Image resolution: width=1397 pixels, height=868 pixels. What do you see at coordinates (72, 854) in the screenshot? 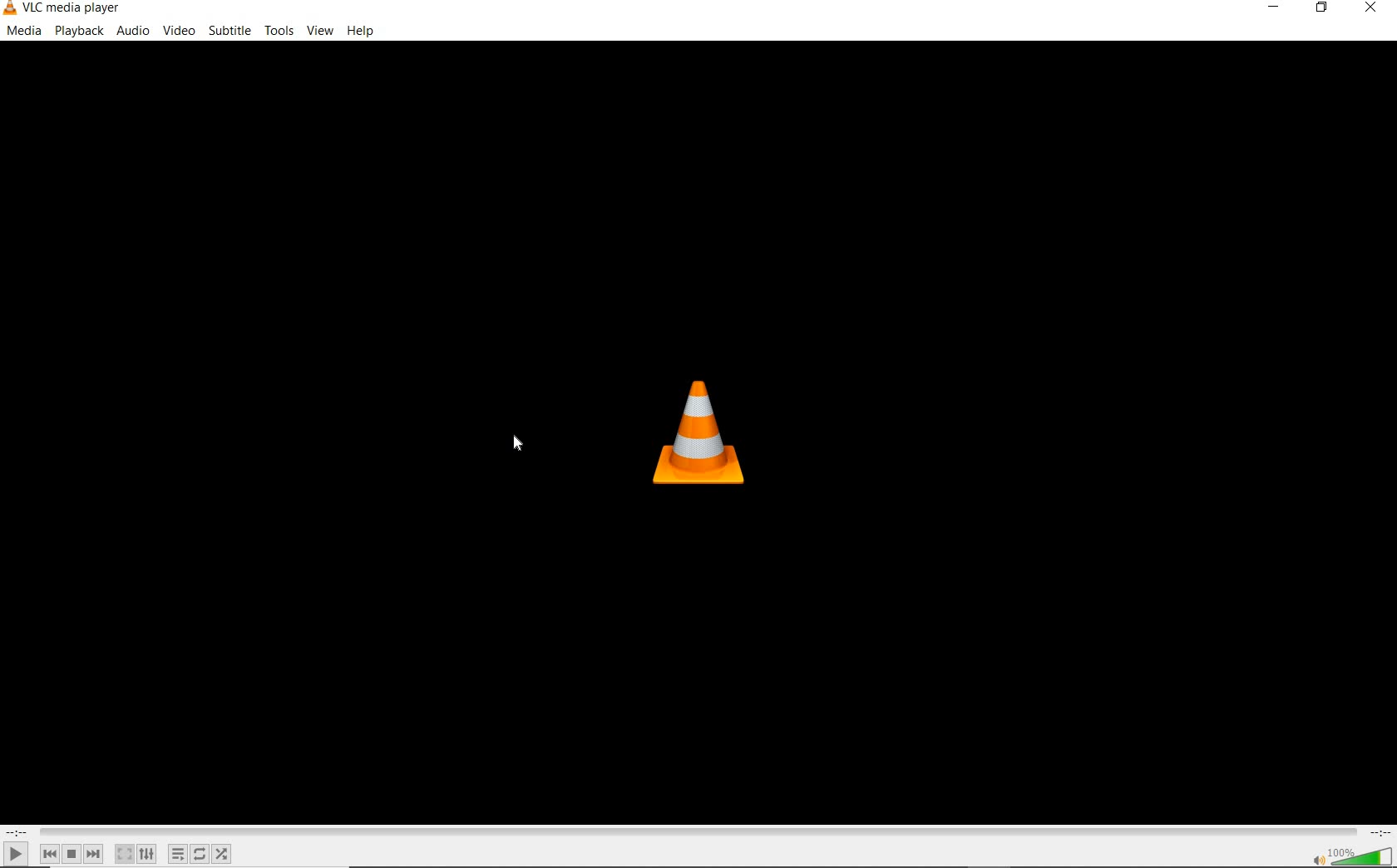
I see `stop` at bounding box center [72, 854].